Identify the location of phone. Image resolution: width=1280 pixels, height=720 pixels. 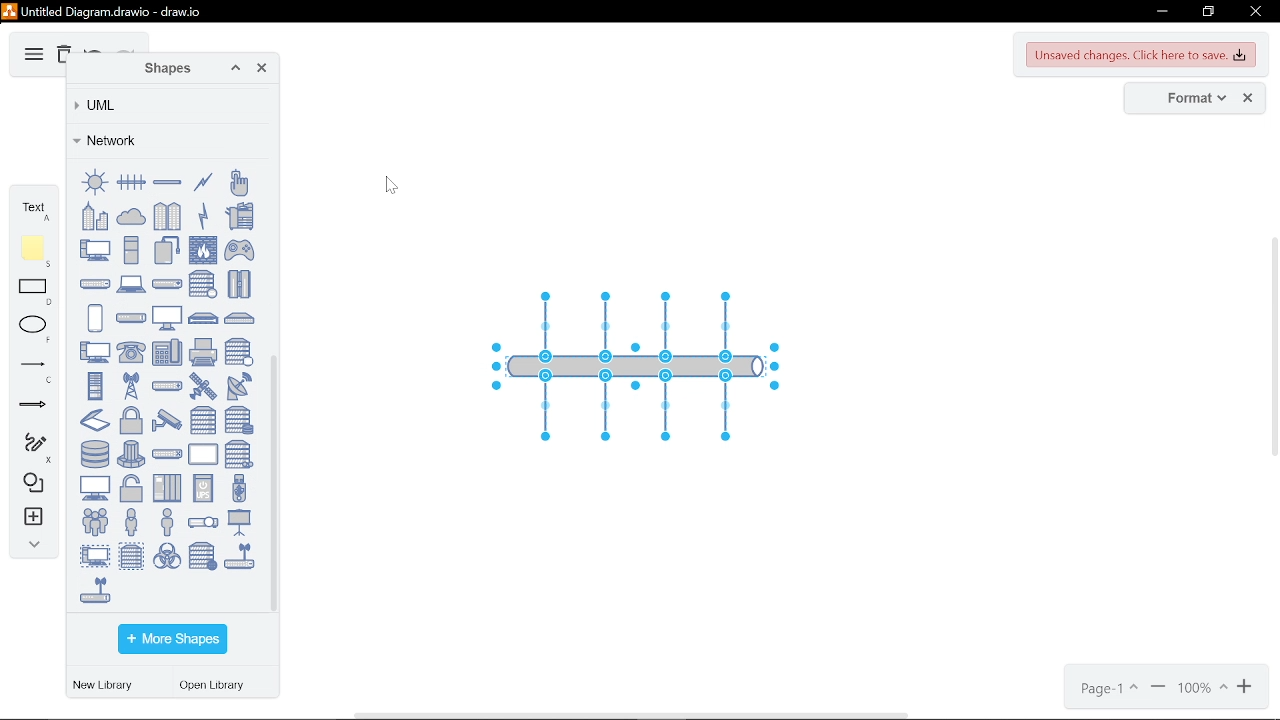
(167, 352).